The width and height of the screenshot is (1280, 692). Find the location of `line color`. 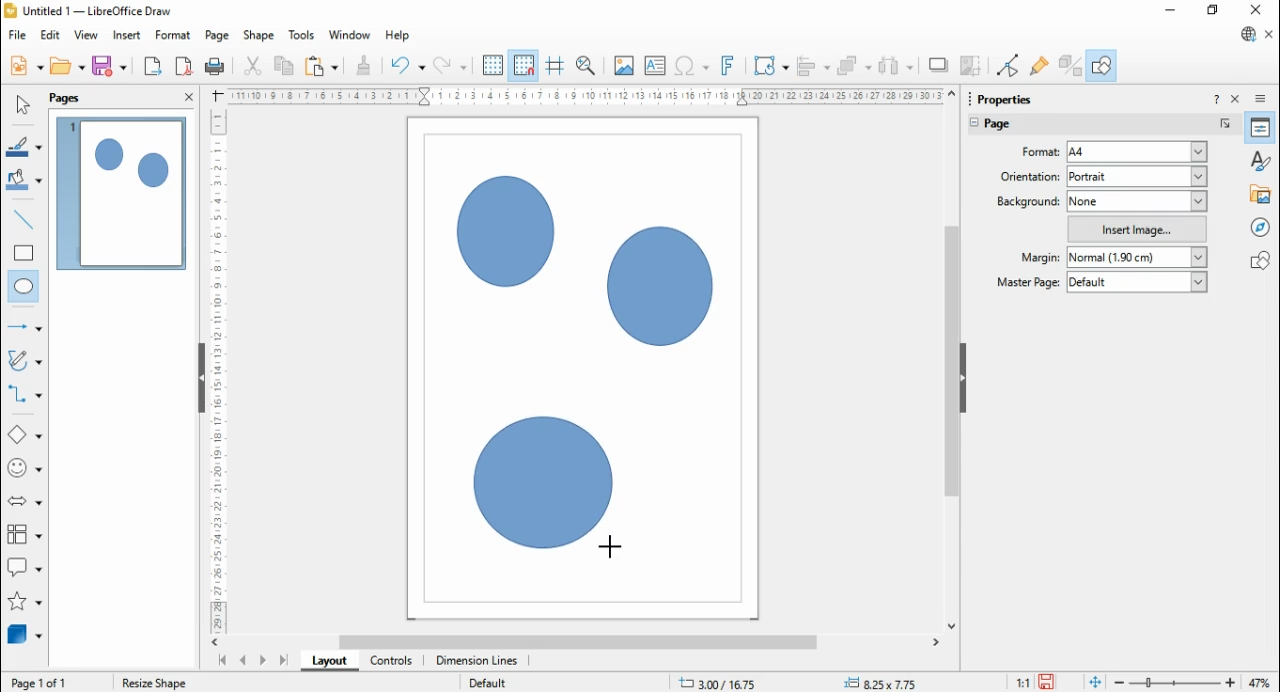

line color is located at coordinates (26, 146).